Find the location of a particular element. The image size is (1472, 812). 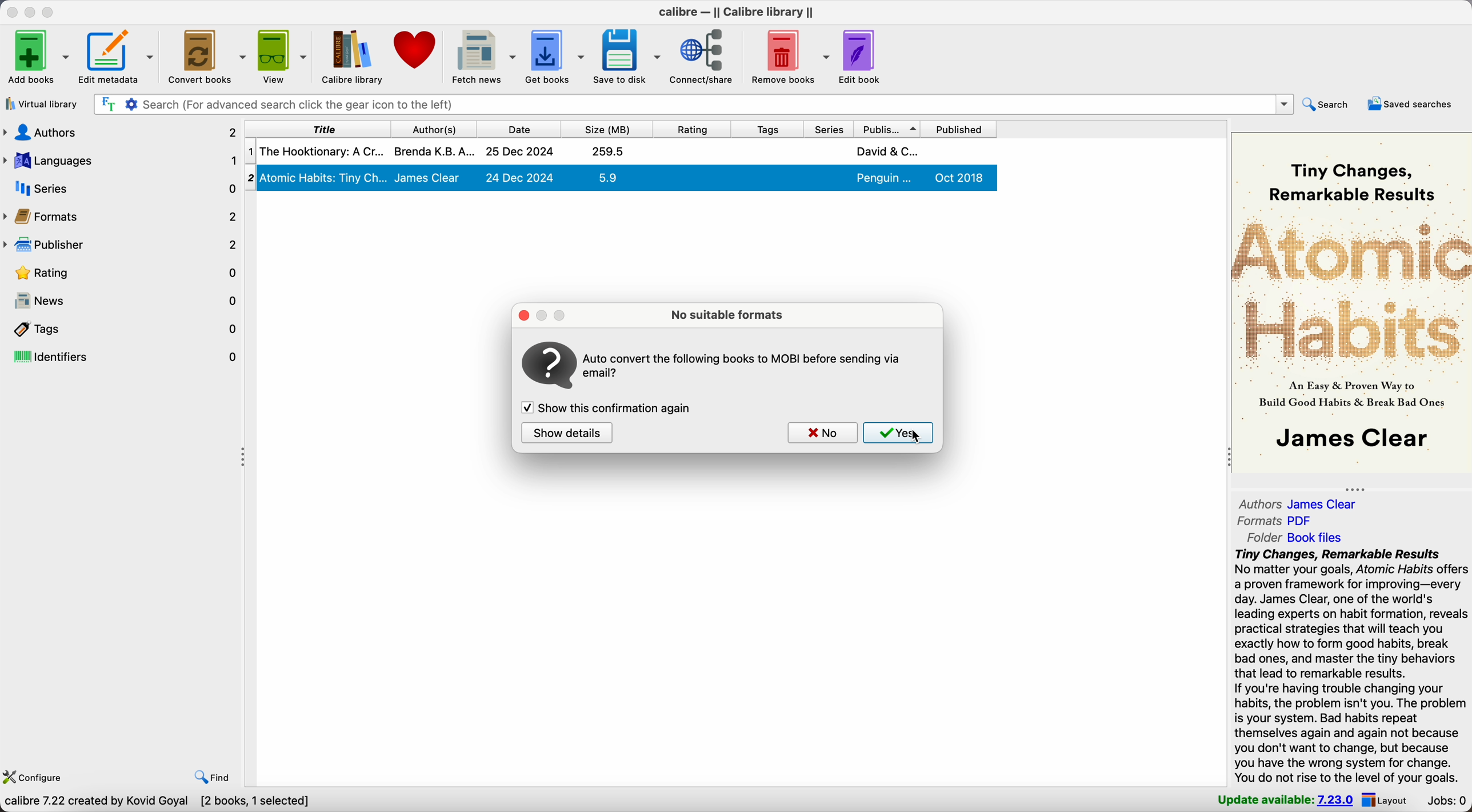

title is located at coordinates (315, 128).